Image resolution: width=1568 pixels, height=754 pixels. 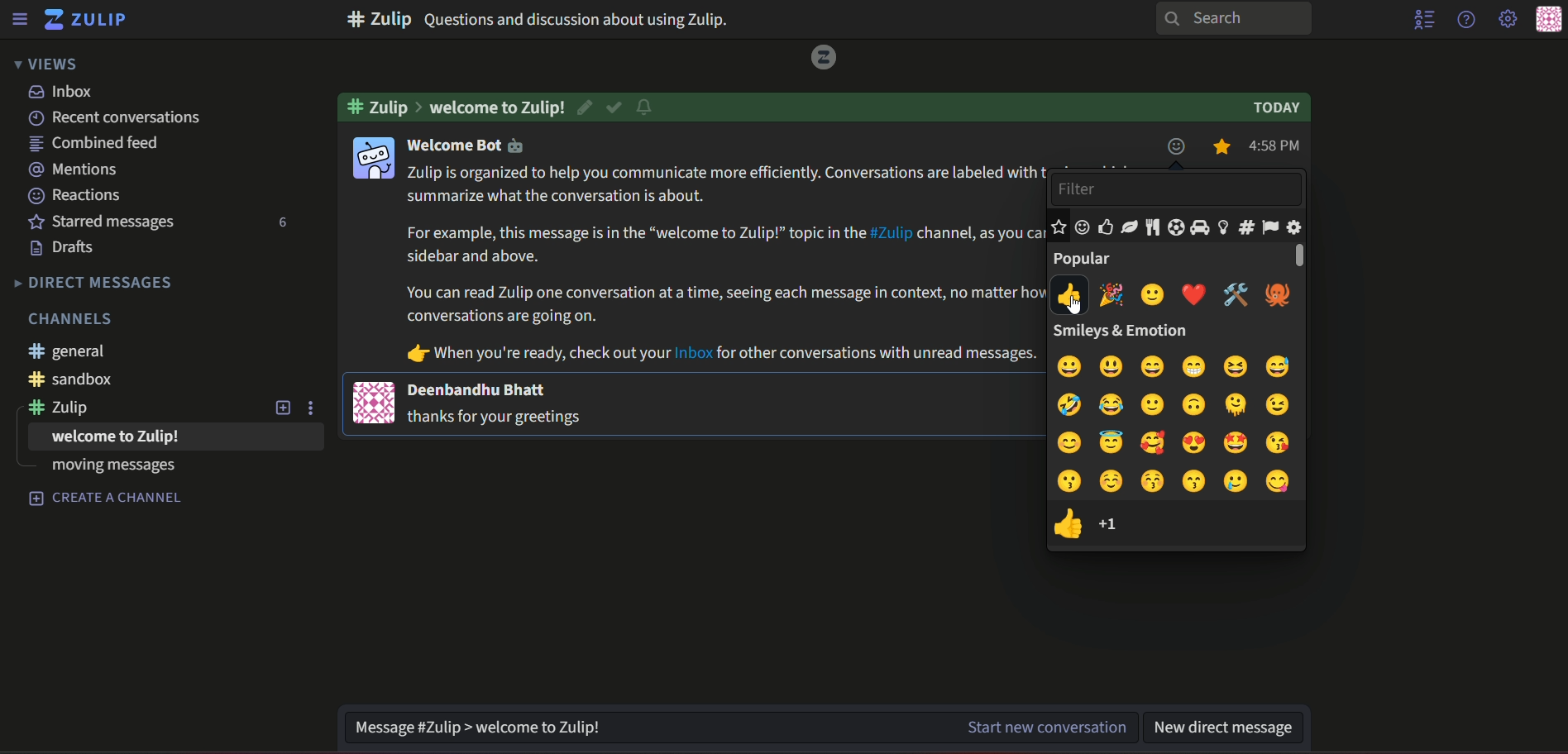 I want to click on #zulip questions and discussion about using Zulip, so click(x=591, y=19).